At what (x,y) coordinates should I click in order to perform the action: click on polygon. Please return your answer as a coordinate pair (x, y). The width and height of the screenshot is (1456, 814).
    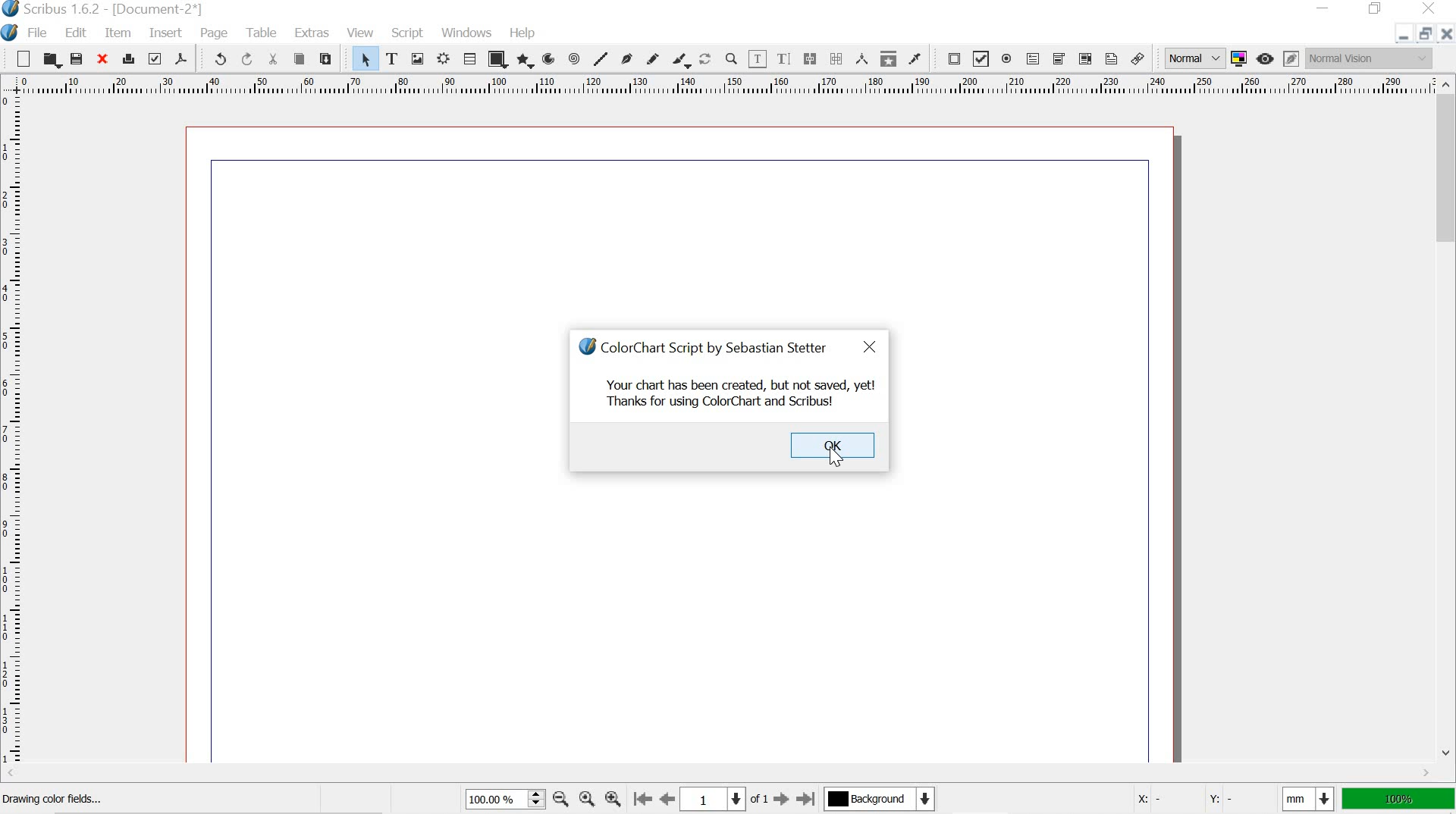
    Looking at the image, I should click on (526, 61).